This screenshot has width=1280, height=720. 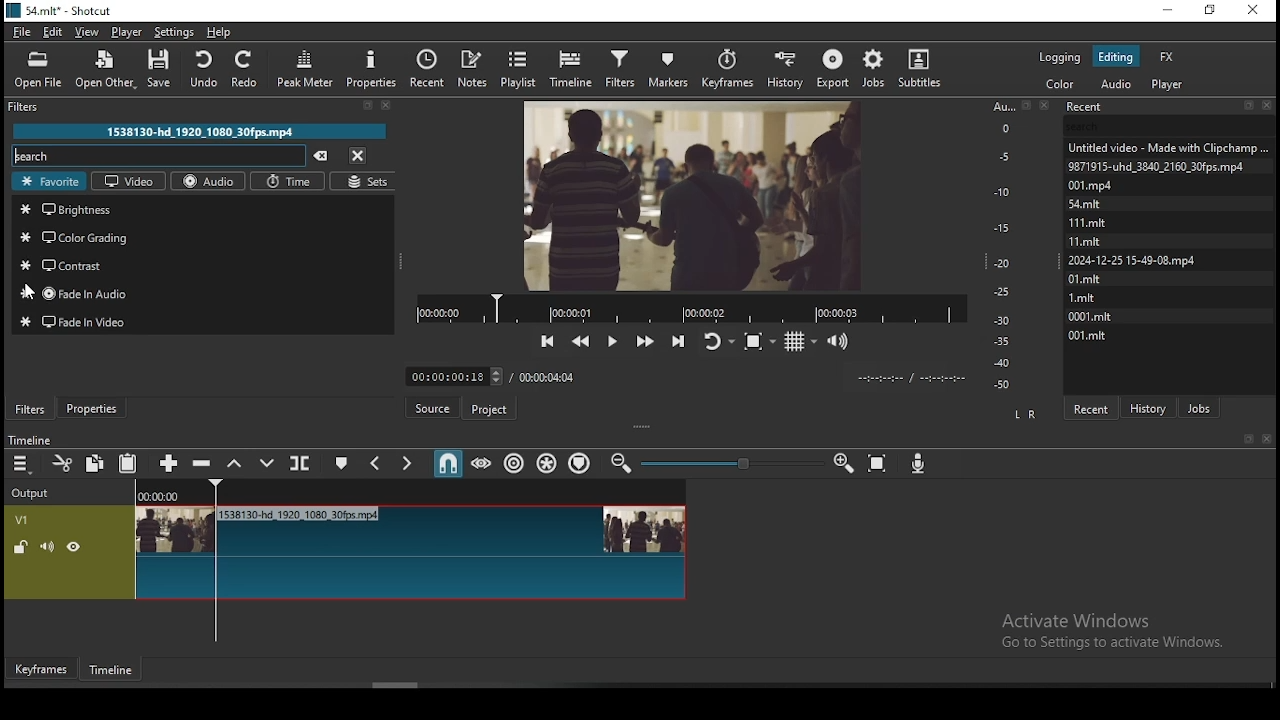 What do you see at coordinates (1257, 11) in the screenshot?
I see `close window` at bounding box center [1257, 11].